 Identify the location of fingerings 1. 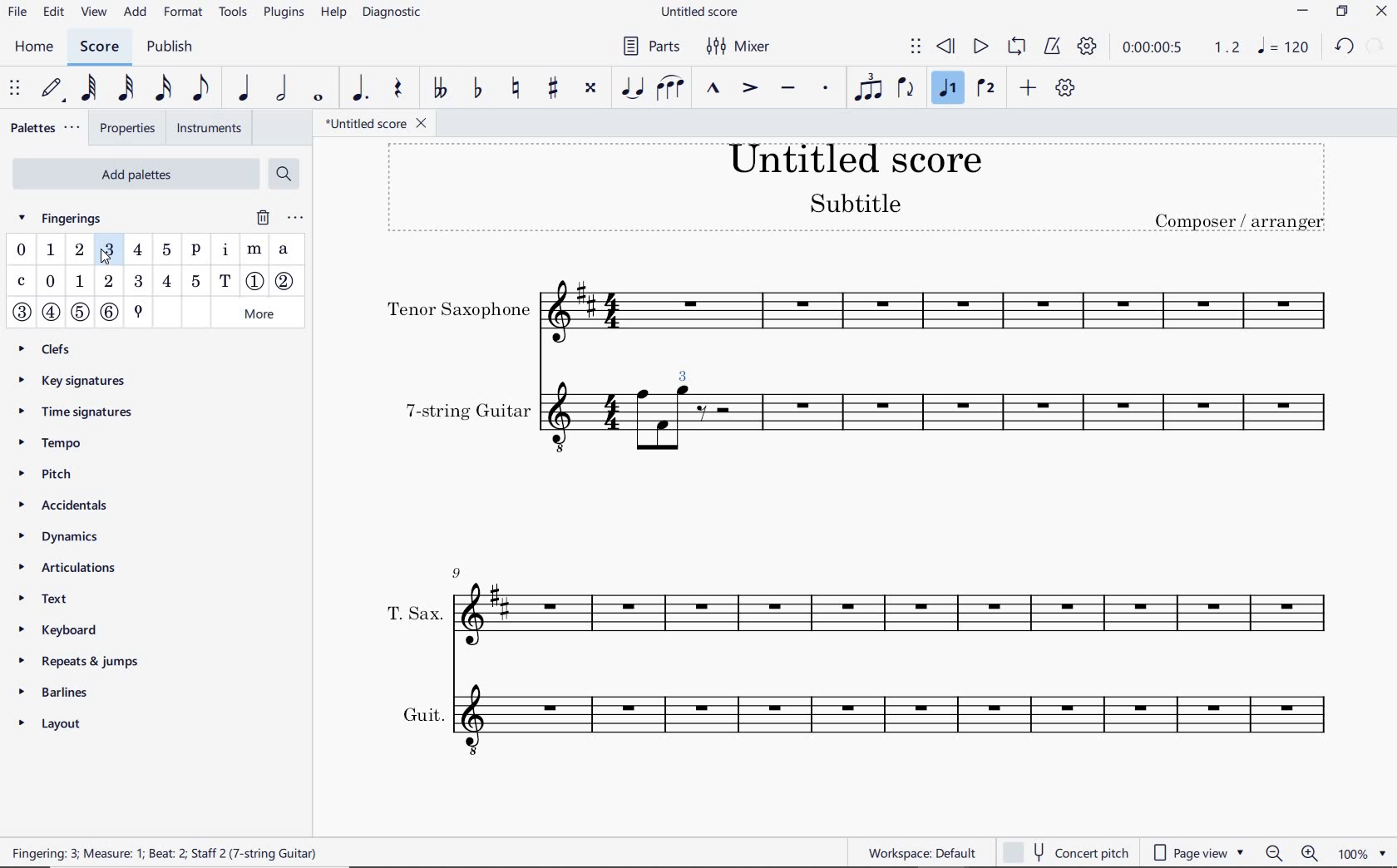
(49, 250).